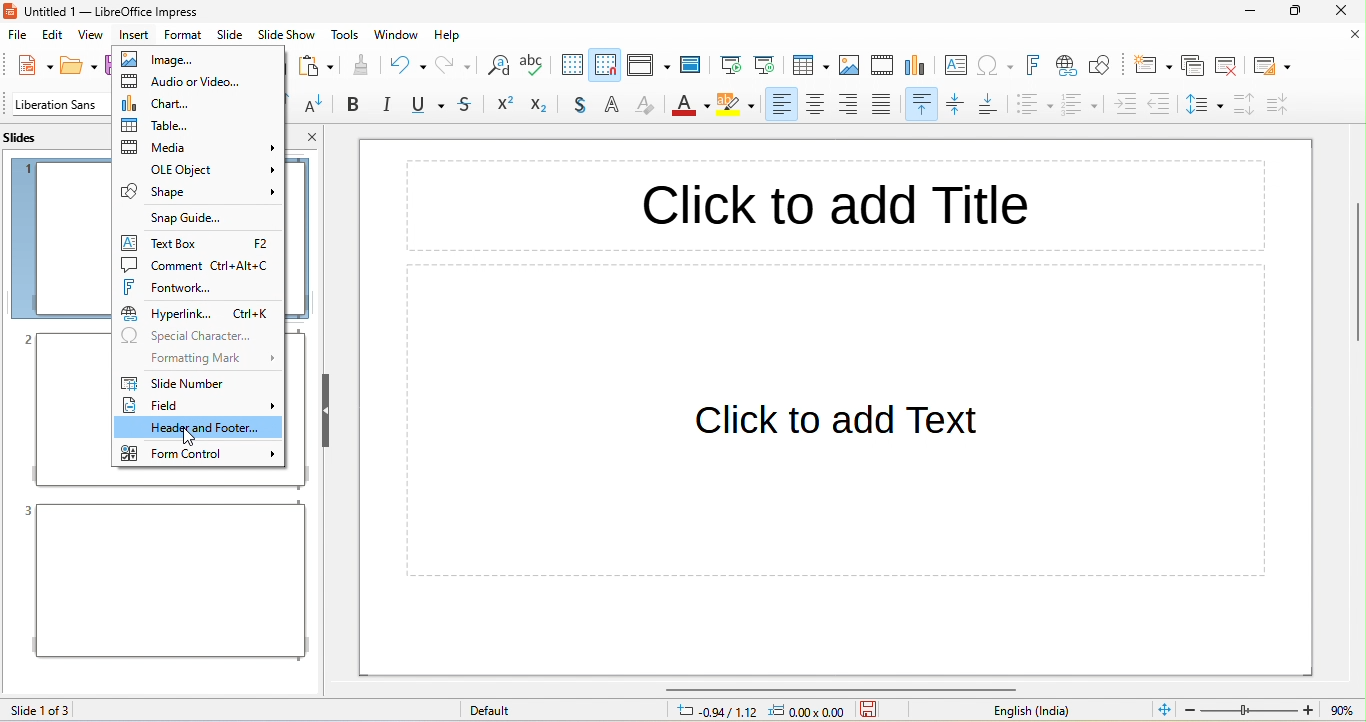 This screenshot has height=722, width=1366. Describe the element at coordinates (534, 67) in the screenshot. I see `spelling` at that location.